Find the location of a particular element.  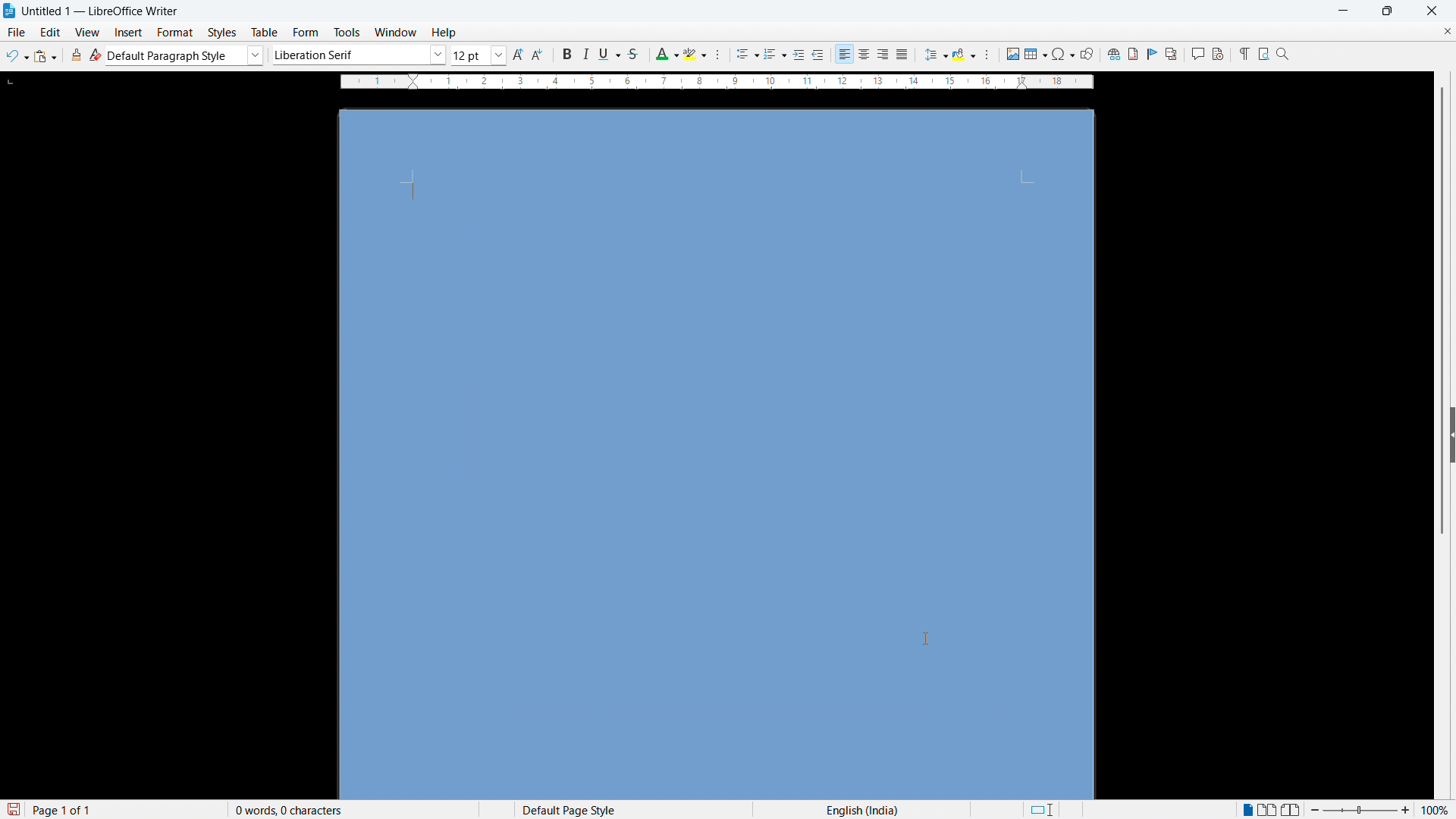

Language  is located at coordinates (862, 809).